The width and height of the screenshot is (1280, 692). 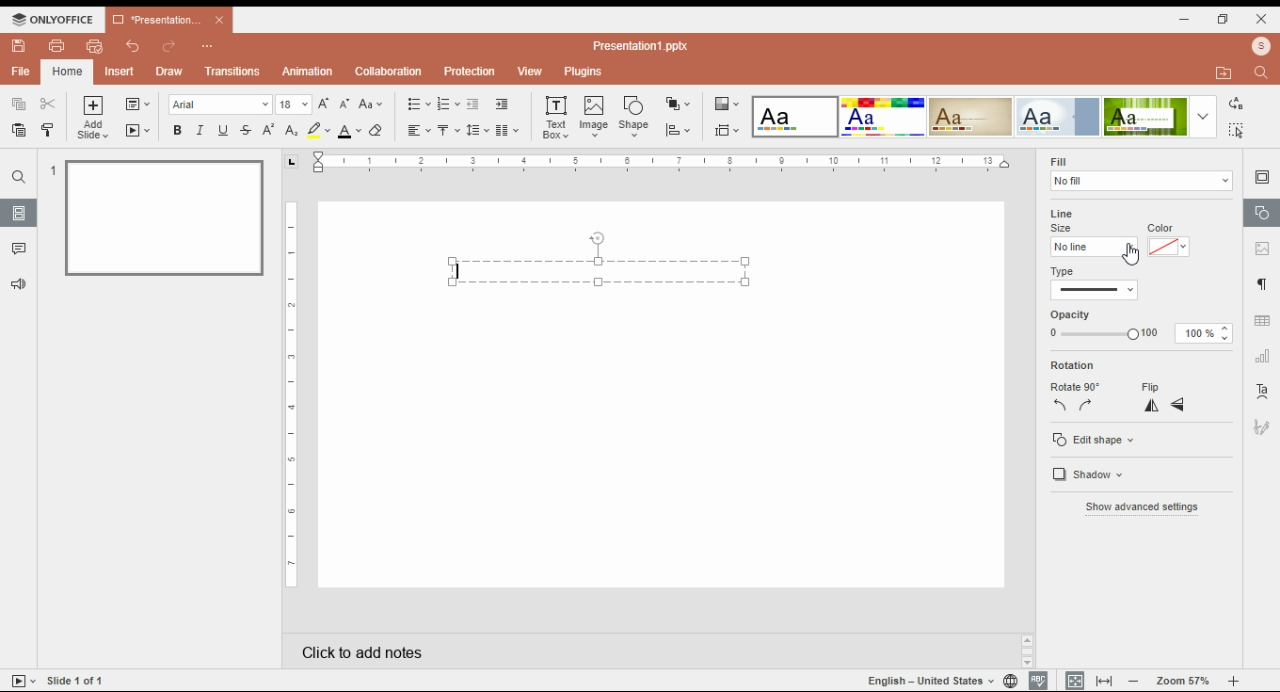 I want to click on slide 1, so click(x=164, y=219).